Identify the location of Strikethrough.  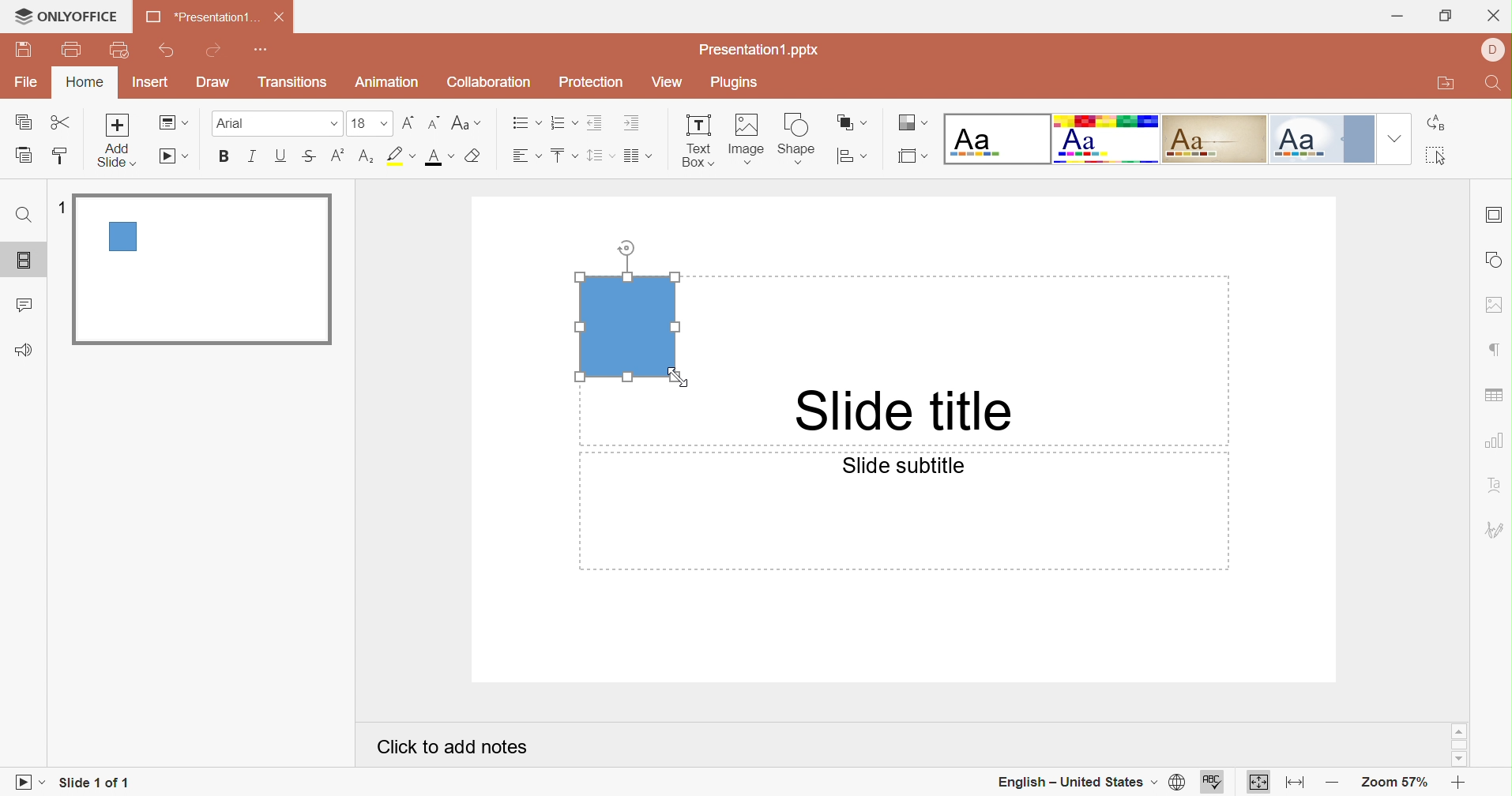
(308, 158).